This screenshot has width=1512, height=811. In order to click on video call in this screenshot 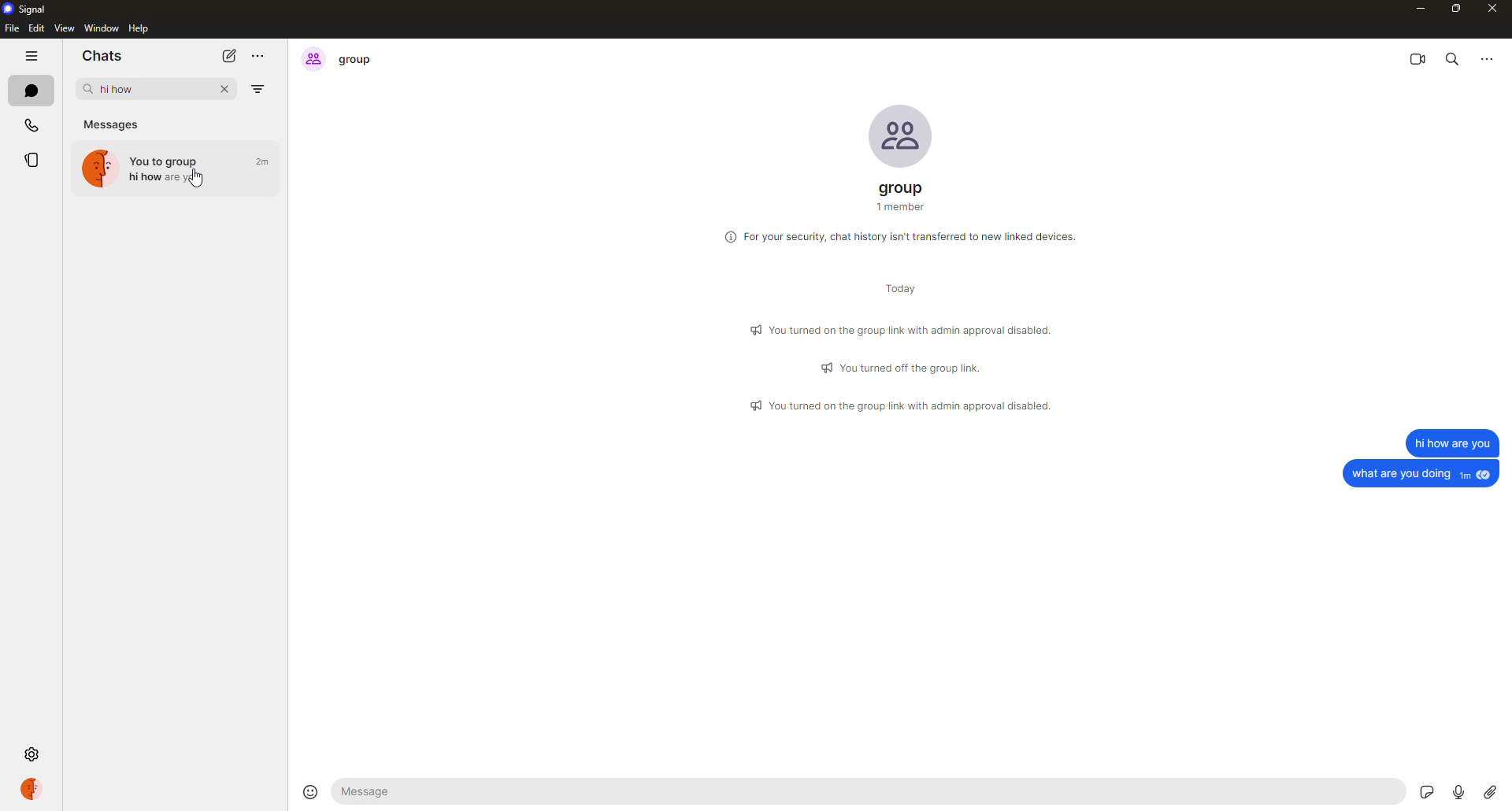, I will do `click(1418, 57)`.